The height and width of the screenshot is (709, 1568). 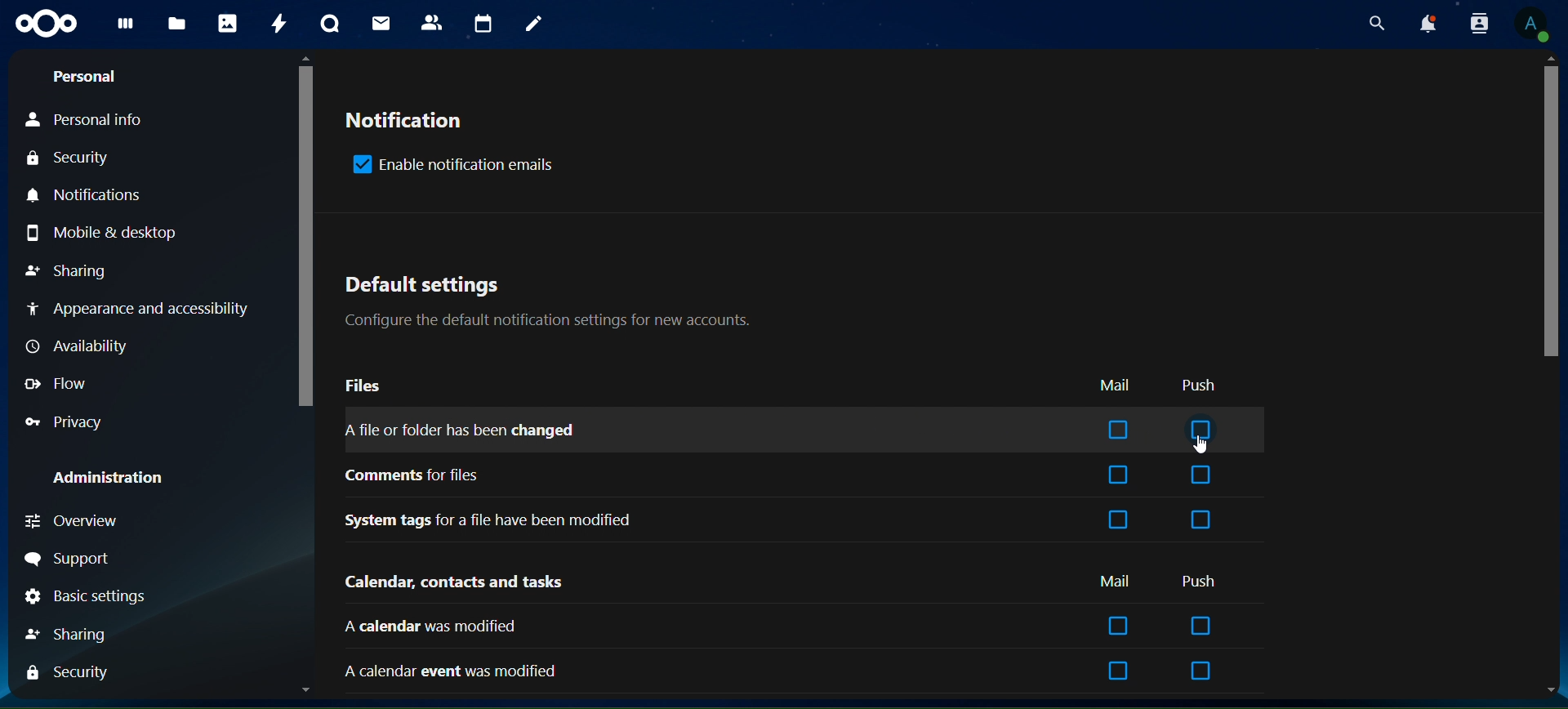 What do you see at coordinates (484, 24) in the screenshot?
I see `calendar` at bounding box center [484, 24].